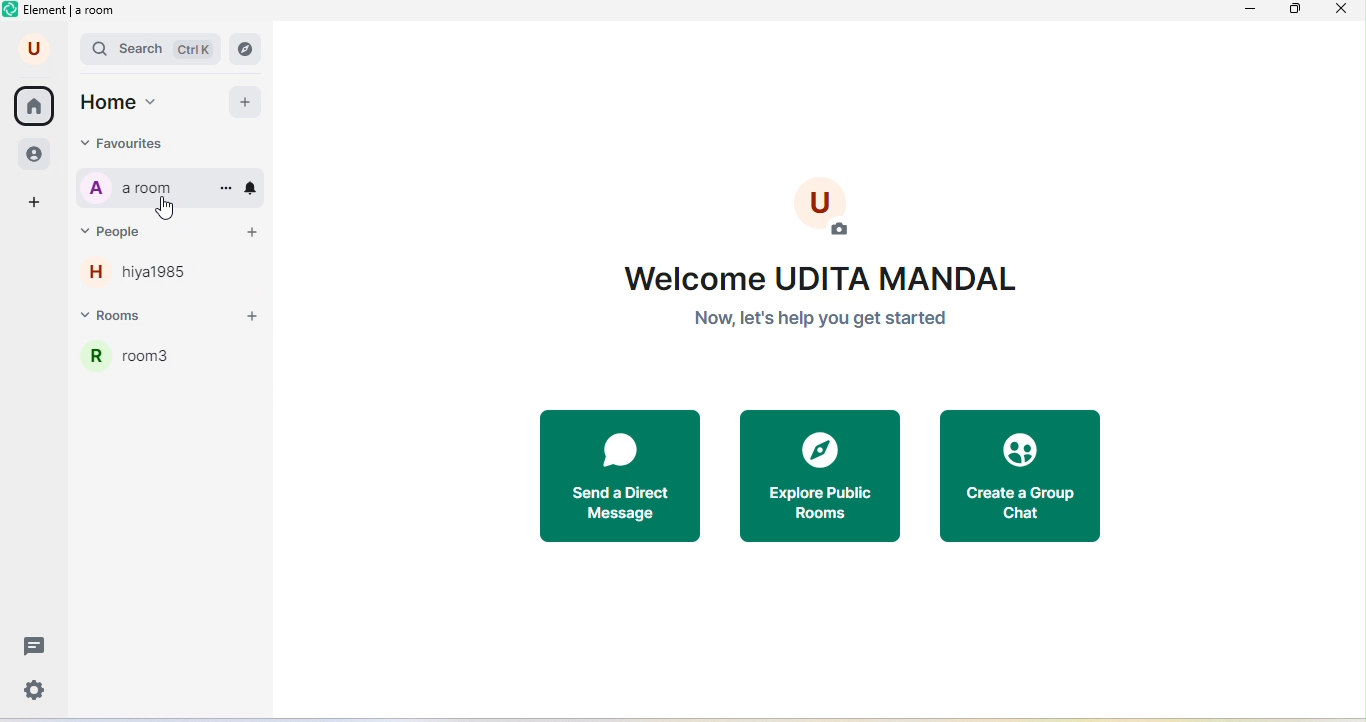  What do you see at coordinates (175, 365) in the screenshot?
I see `room 3` at bounding box center [175, 365].